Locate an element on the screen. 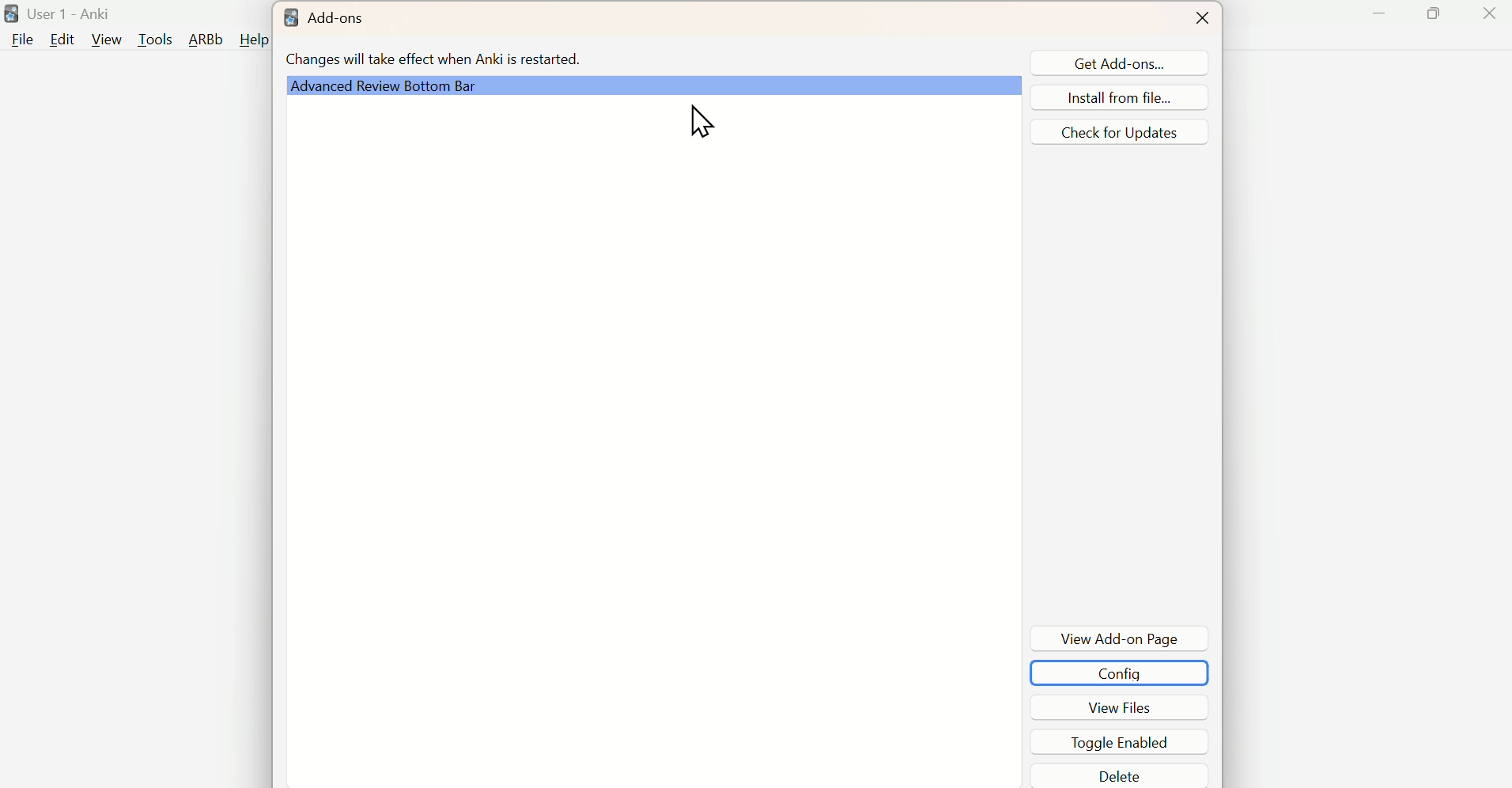  file is located at coordinates (19, 44).